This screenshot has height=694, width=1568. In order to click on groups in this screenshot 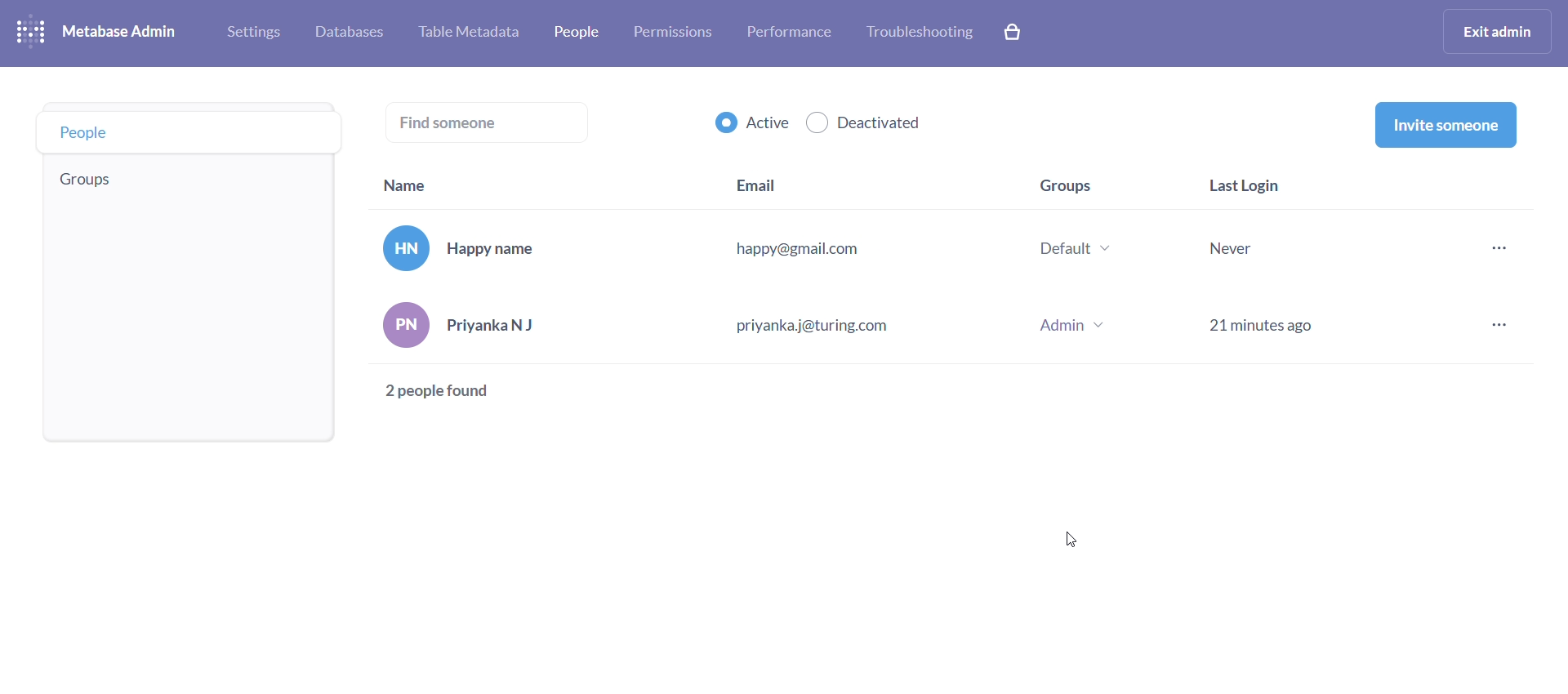, I will do `click(182, 179)`.